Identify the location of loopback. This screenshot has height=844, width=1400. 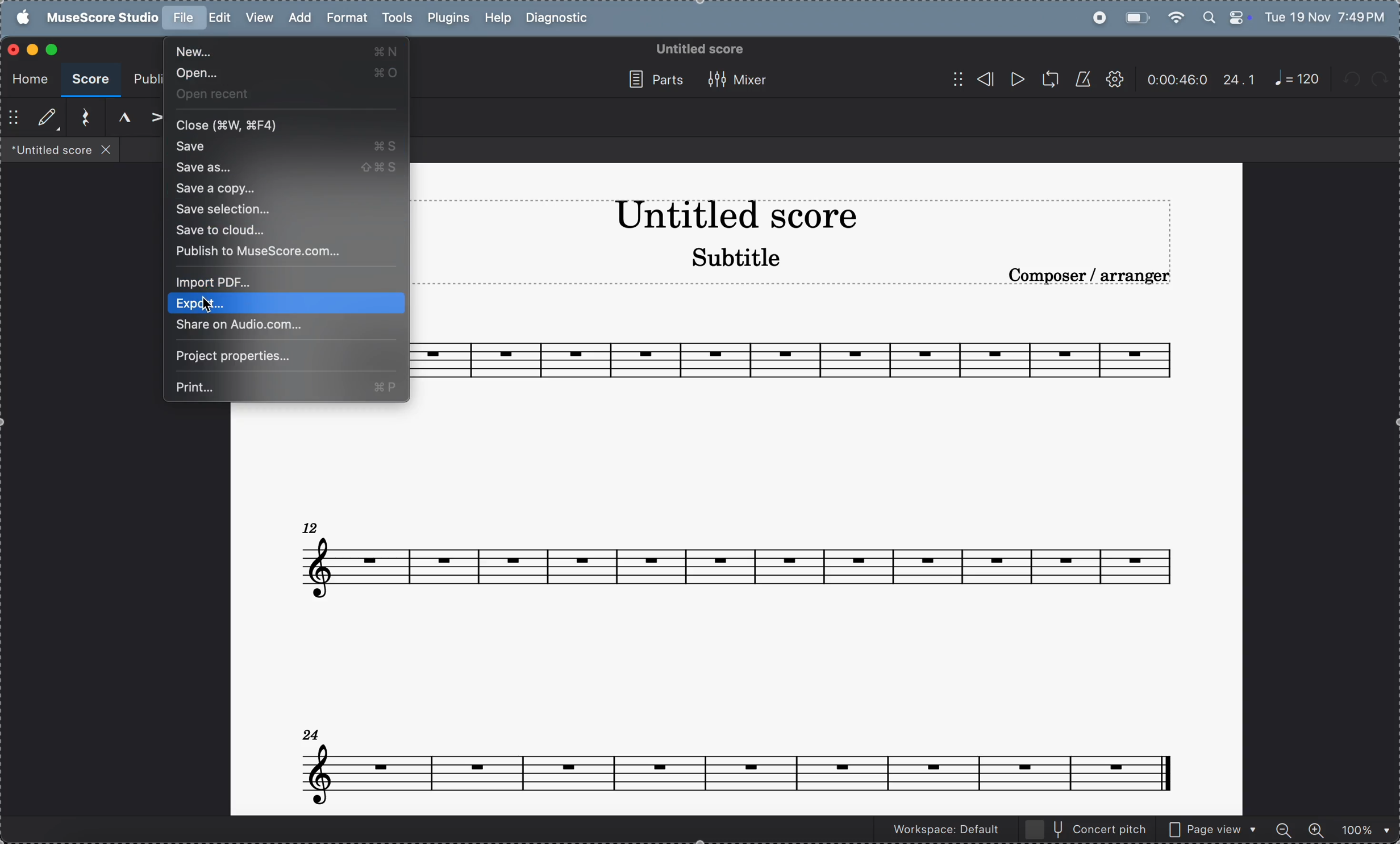
(1046, 80).